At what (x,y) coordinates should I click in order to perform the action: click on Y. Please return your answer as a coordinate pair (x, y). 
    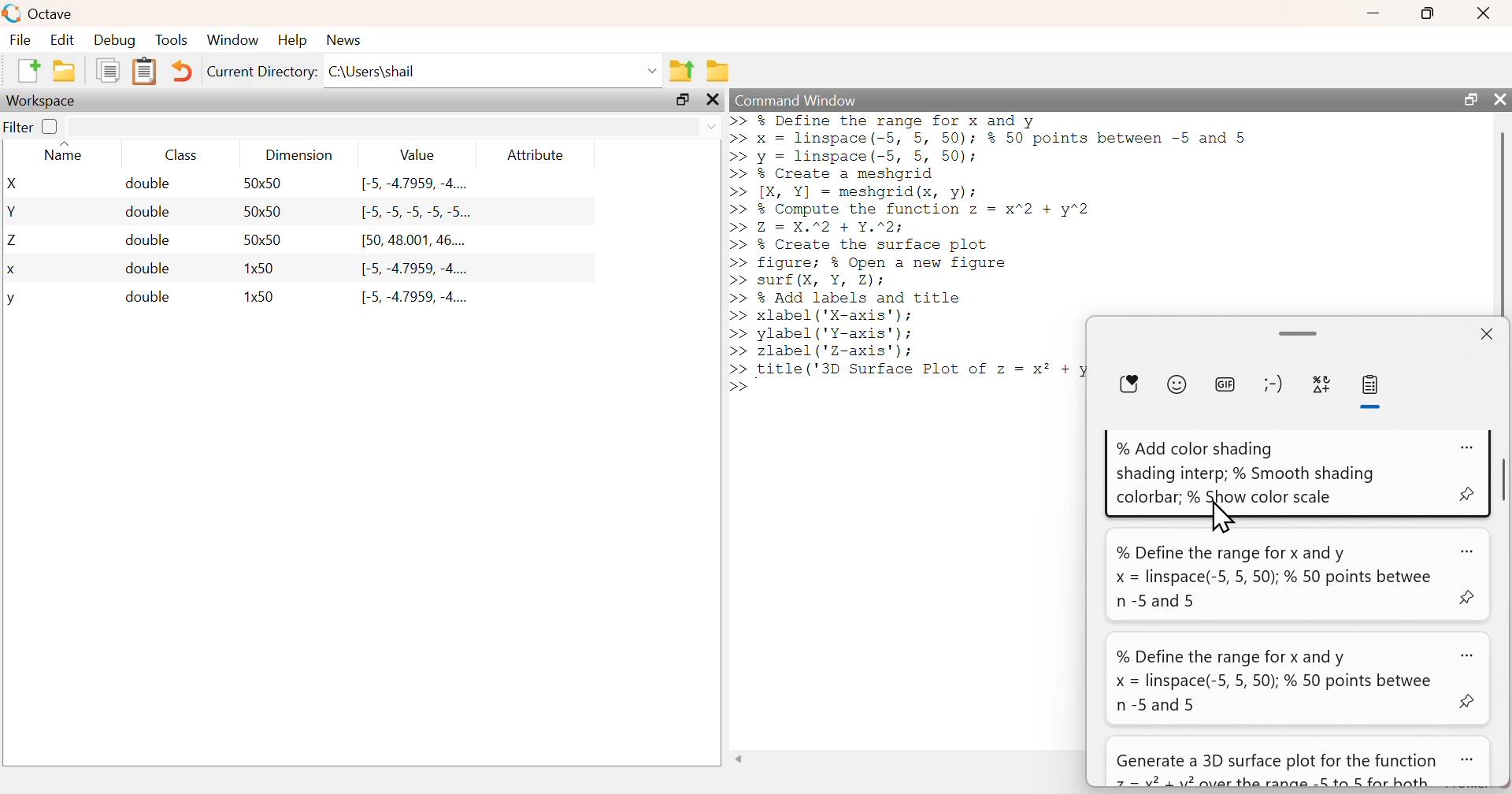
    Looking at the image, I should click on (13, 211).